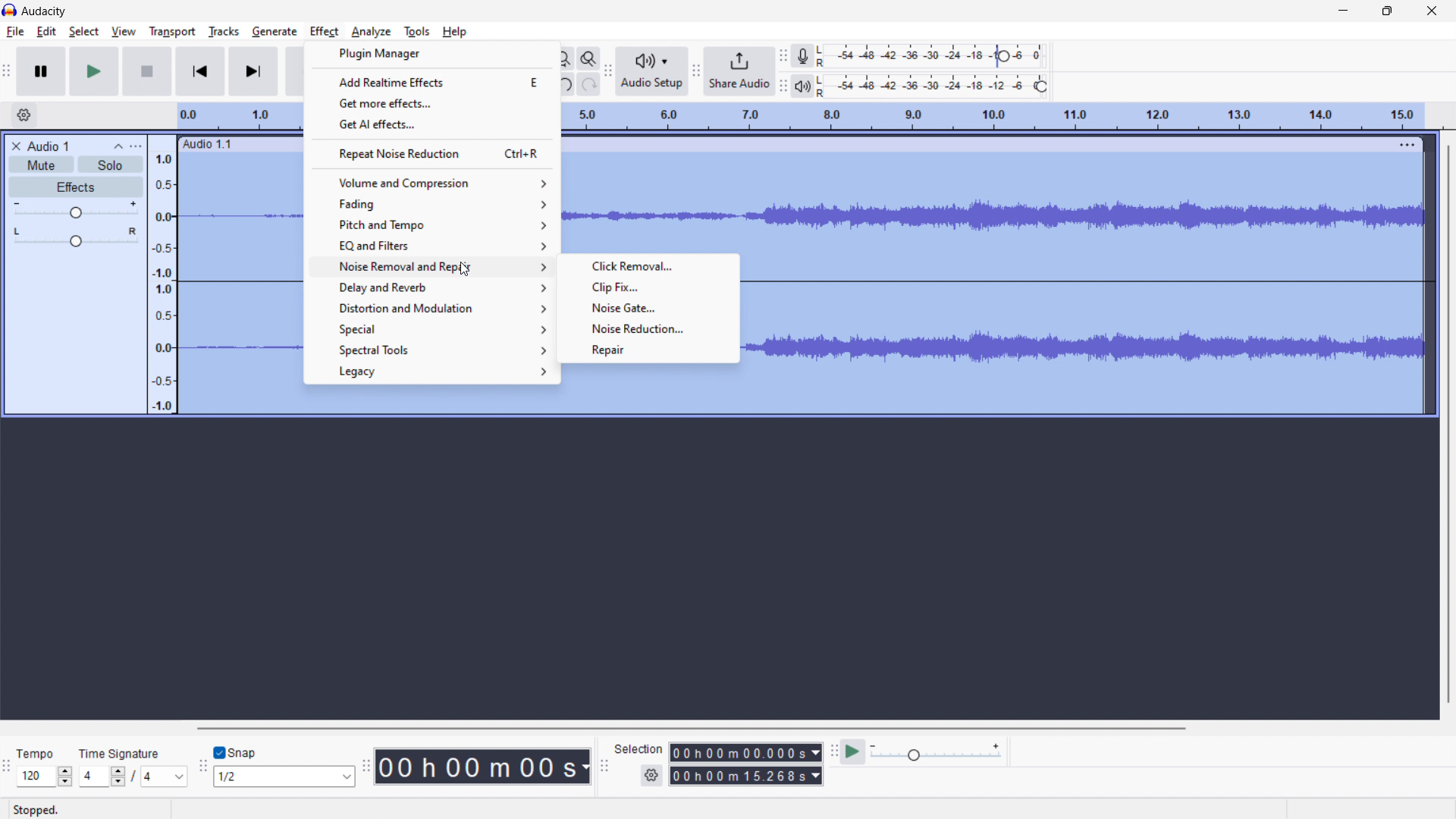 The height and width of the screenshot is (819, 1456). What do you see at coordinates (117, 146) in the screenshot?
I see `collapse` at bounding box center [117, 146].